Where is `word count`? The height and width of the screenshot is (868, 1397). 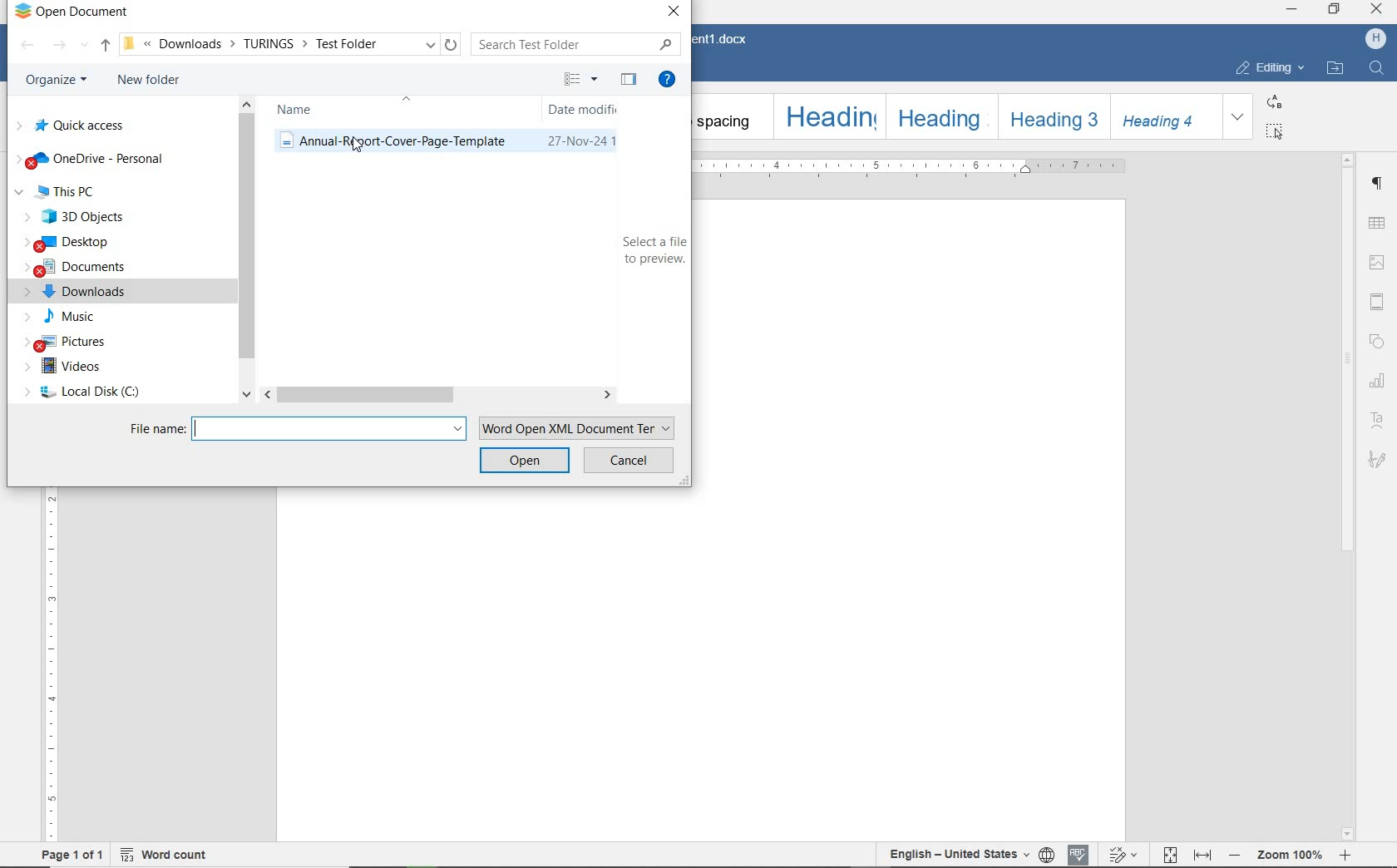 word count is located at coordinates (175, 856).